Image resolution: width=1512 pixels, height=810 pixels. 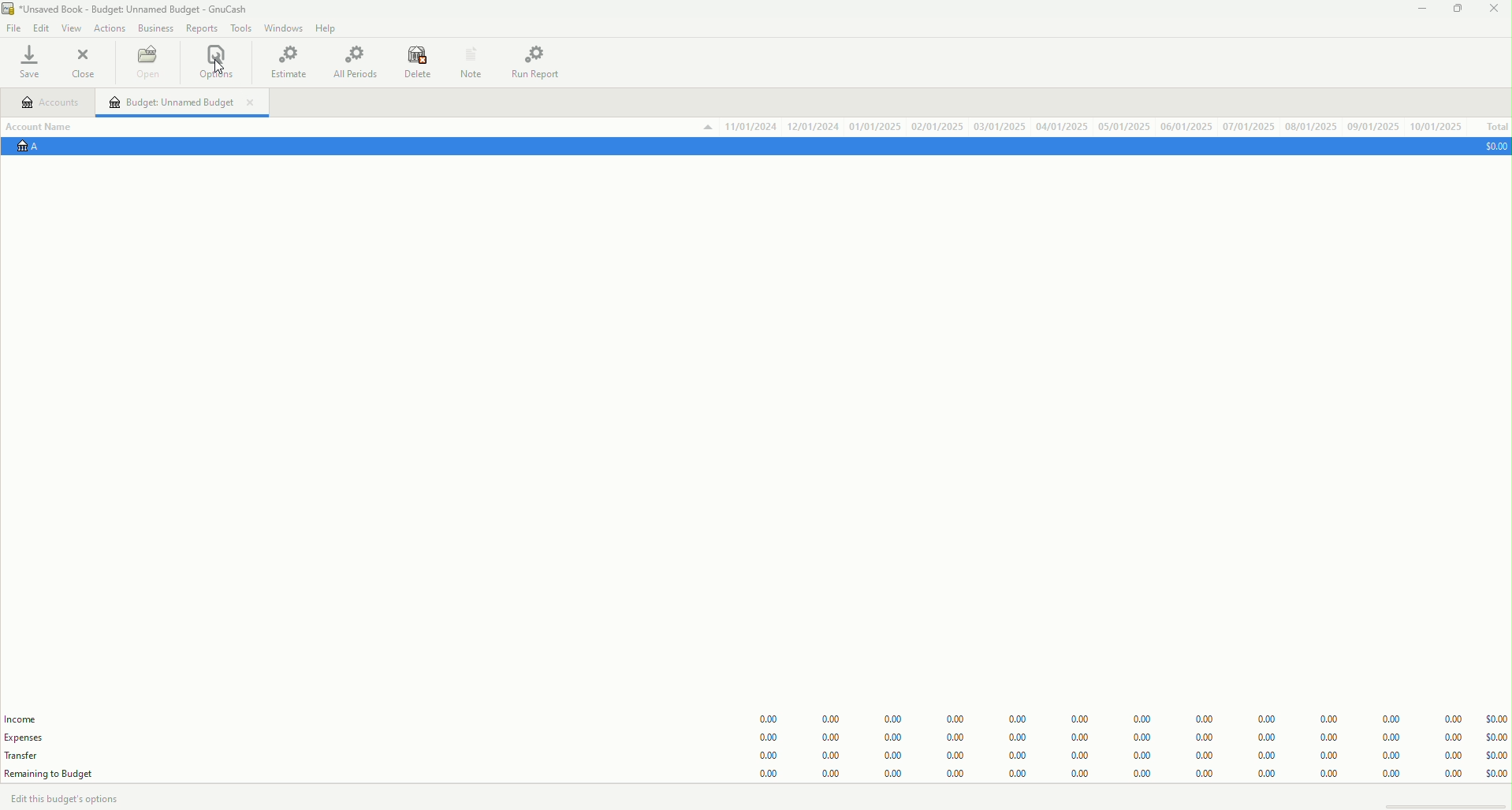 I want to click on $0, so click(x=1492, y=146).